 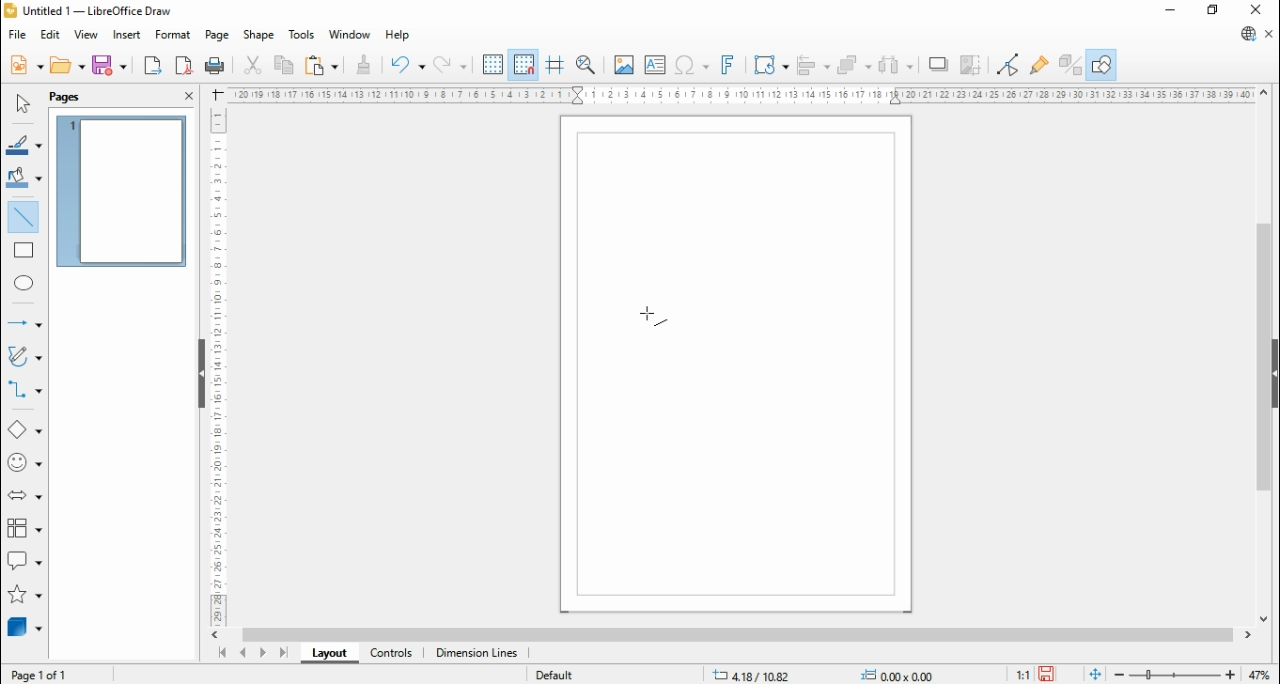 What do you see at coordinates (65, 98) in the screenshot?
I see `page` at bounding box center [65, 98].